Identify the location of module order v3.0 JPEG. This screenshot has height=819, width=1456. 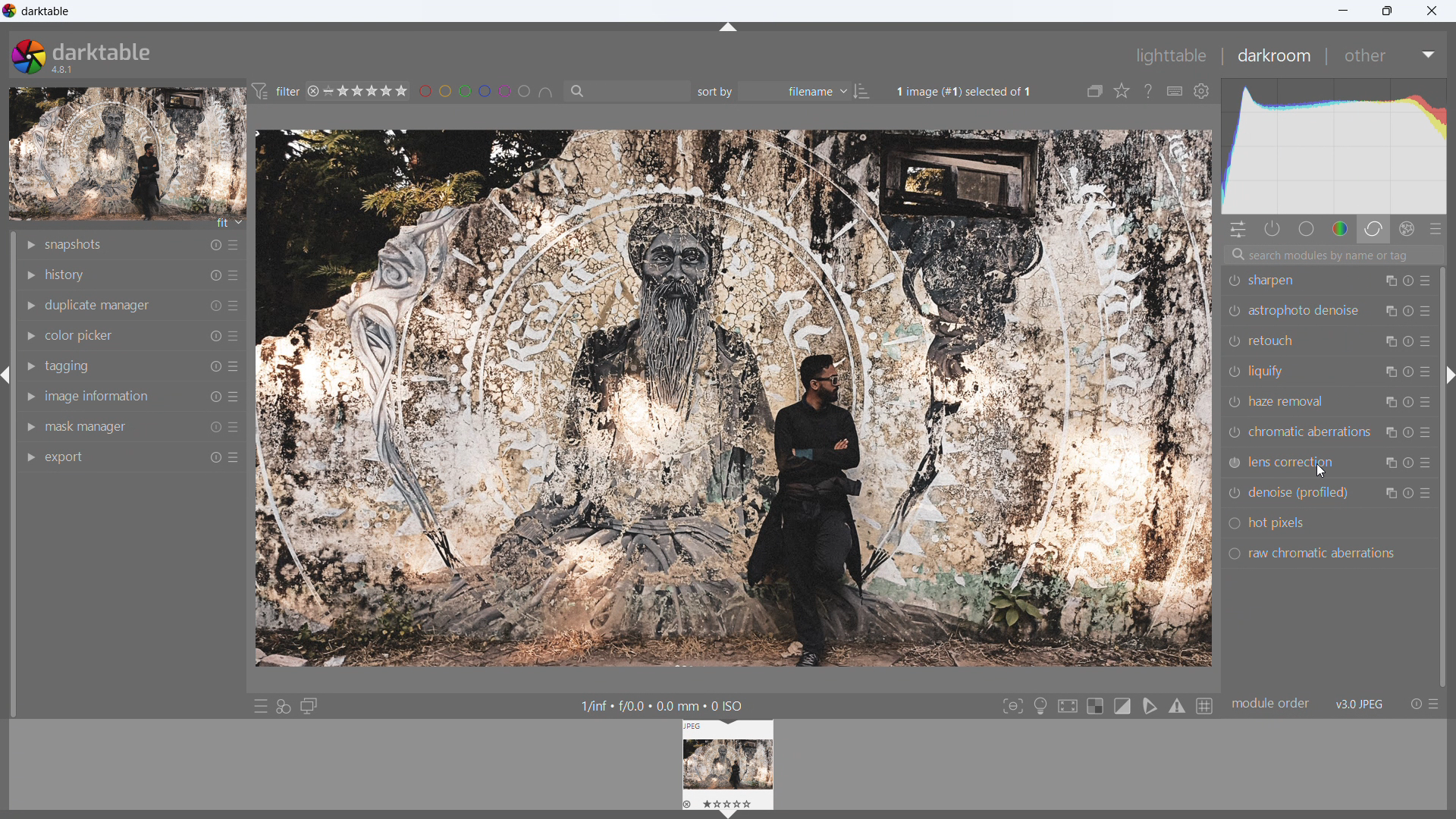
(1314, 701).